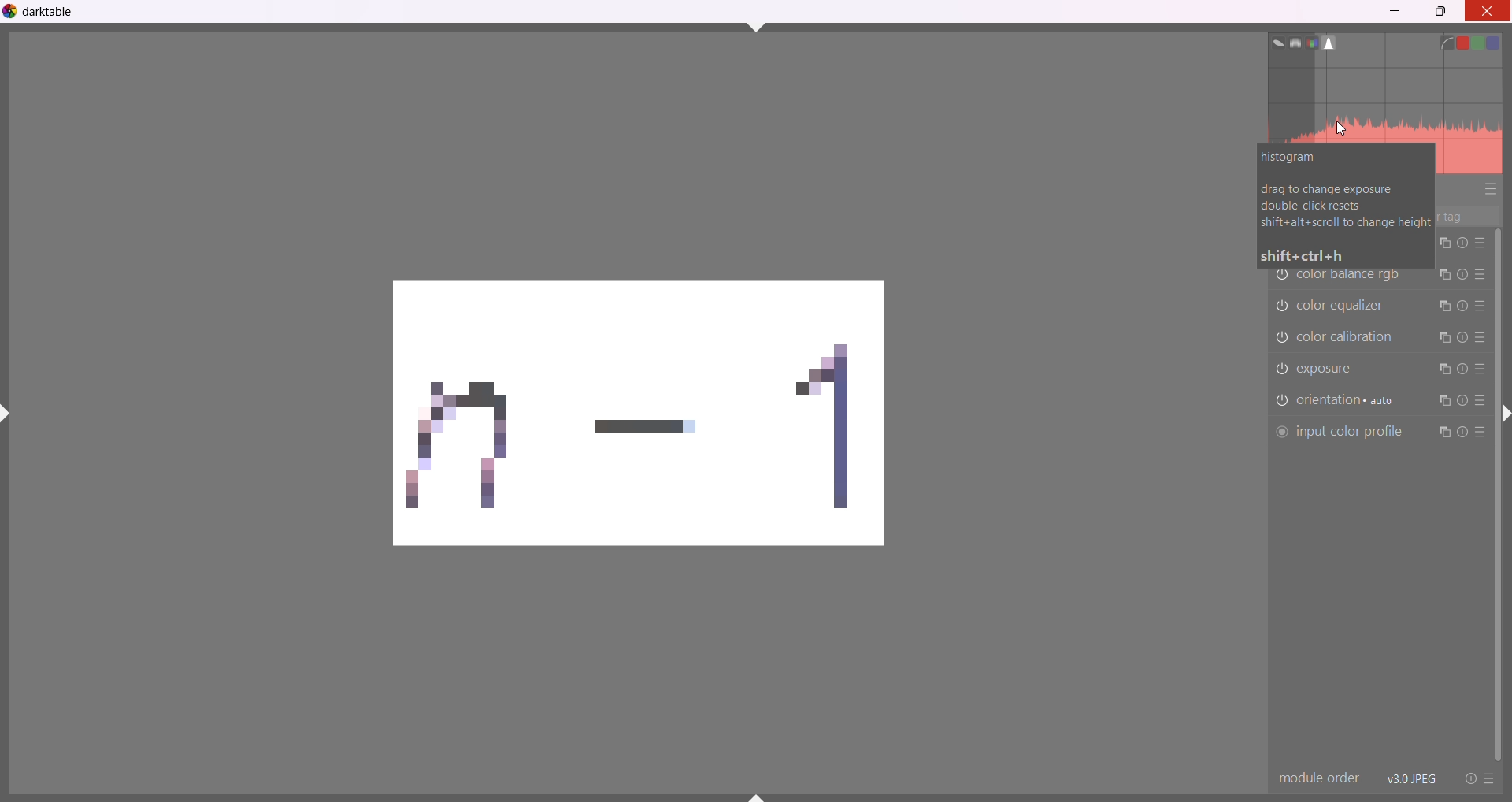 Image resolution: width=1512 pixels, height=802 pixels. What do you see at coordinates (1447, 42) in the screenshot?
I see `linear` at bounding box center [1447, 42].